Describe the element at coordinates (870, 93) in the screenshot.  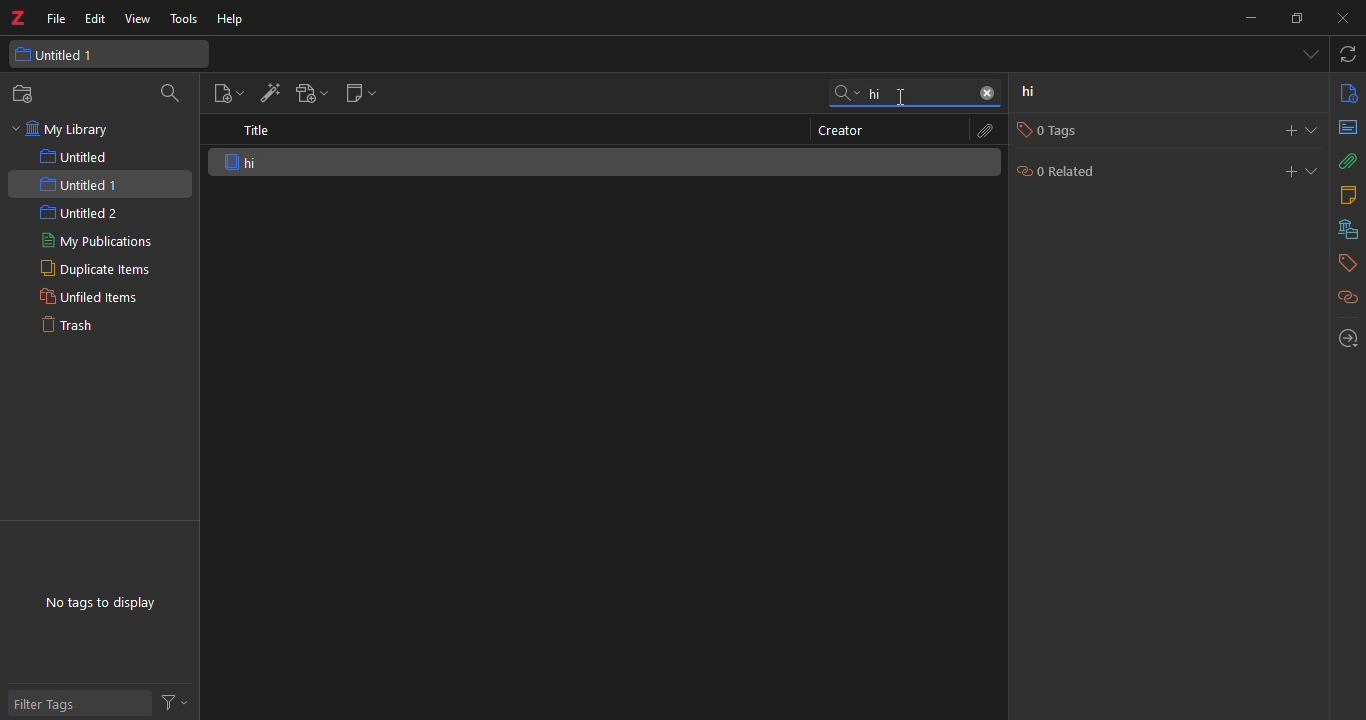
I see `hi` at that location.